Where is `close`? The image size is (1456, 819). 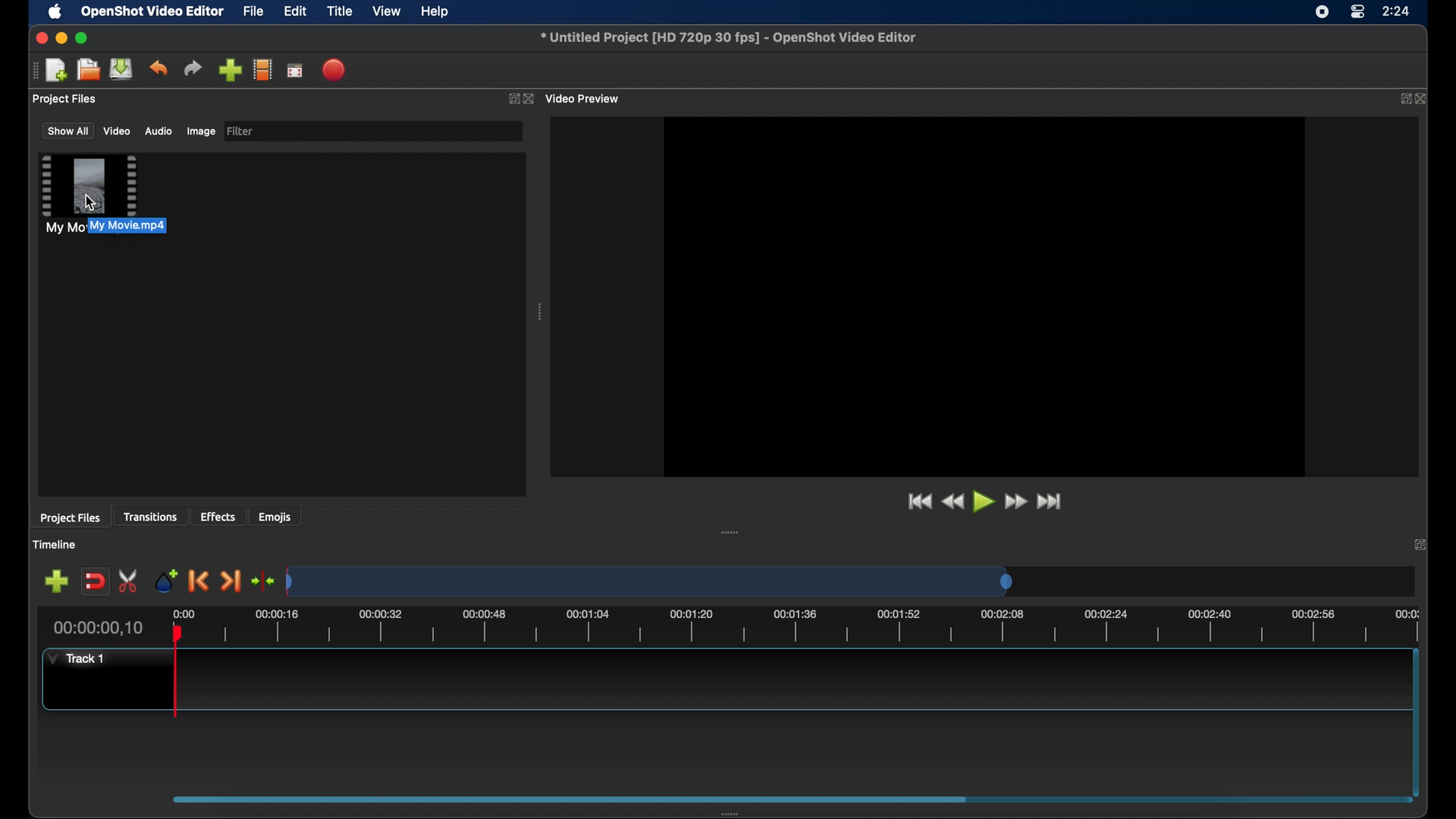 close is located at coordinates (1420, 543).